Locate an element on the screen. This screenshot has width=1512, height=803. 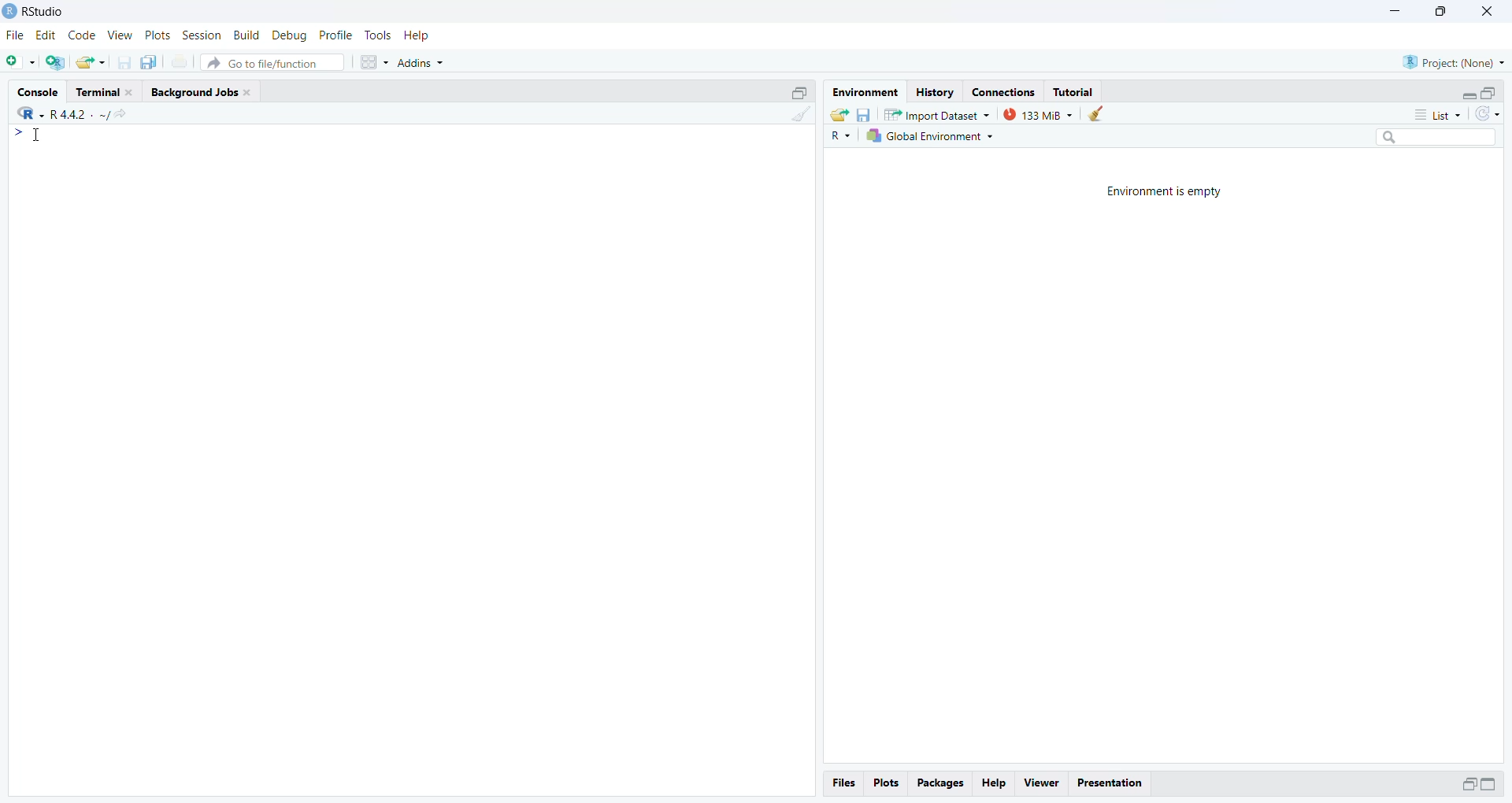
Terminal is located at coordinates (102, 92).